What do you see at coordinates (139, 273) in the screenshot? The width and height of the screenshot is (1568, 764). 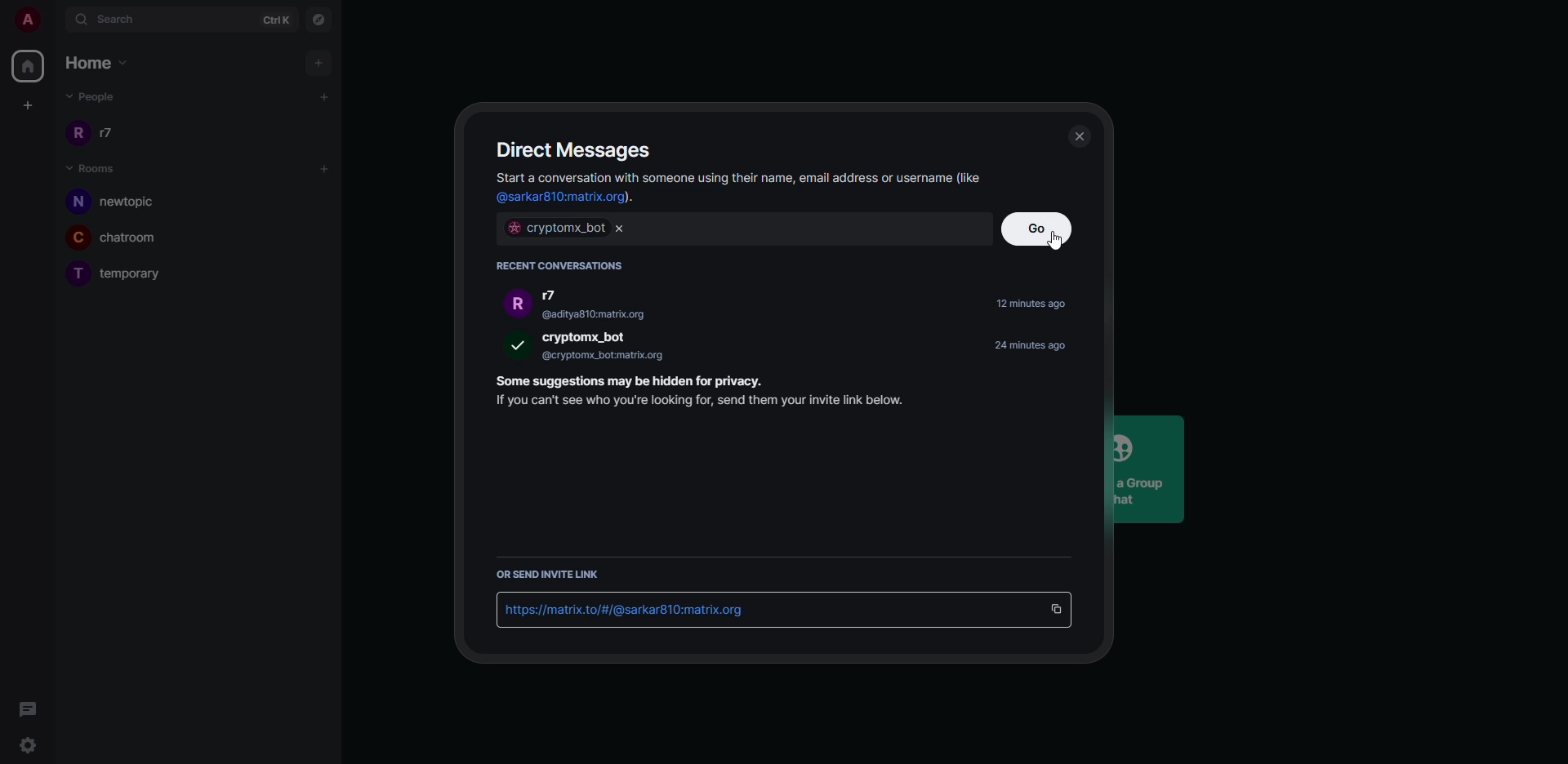 I see `temporary` at bounding box center [139, 273].